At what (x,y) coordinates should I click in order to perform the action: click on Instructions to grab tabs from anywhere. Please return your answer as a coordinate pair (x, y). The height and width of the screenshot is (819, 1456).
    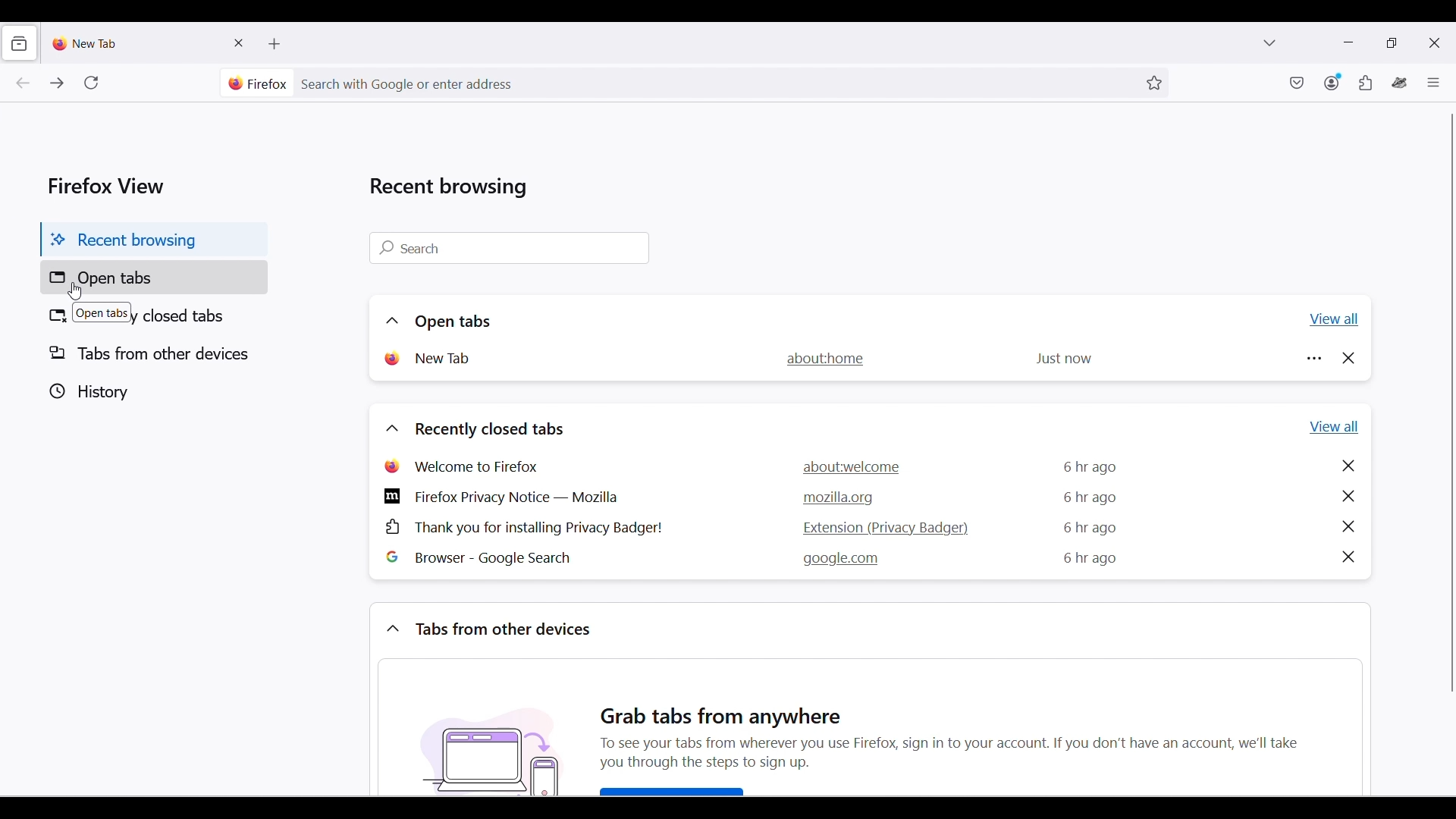
    Looking at the image, I should click on (971, 766).